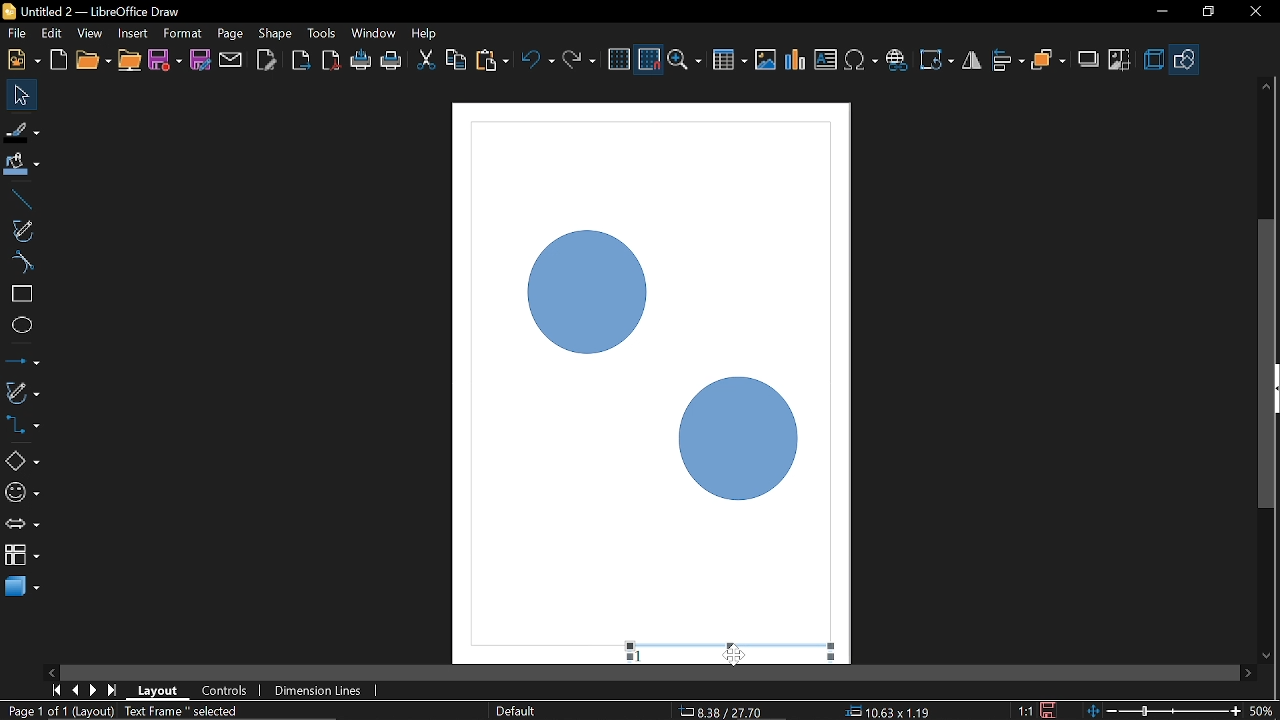 Image resolution: width=1280 pixels, height=720 pixels. What do you see at coordinates (322, 32) in the screenshot?
I see `Tools` at bounding box center [322, 32].